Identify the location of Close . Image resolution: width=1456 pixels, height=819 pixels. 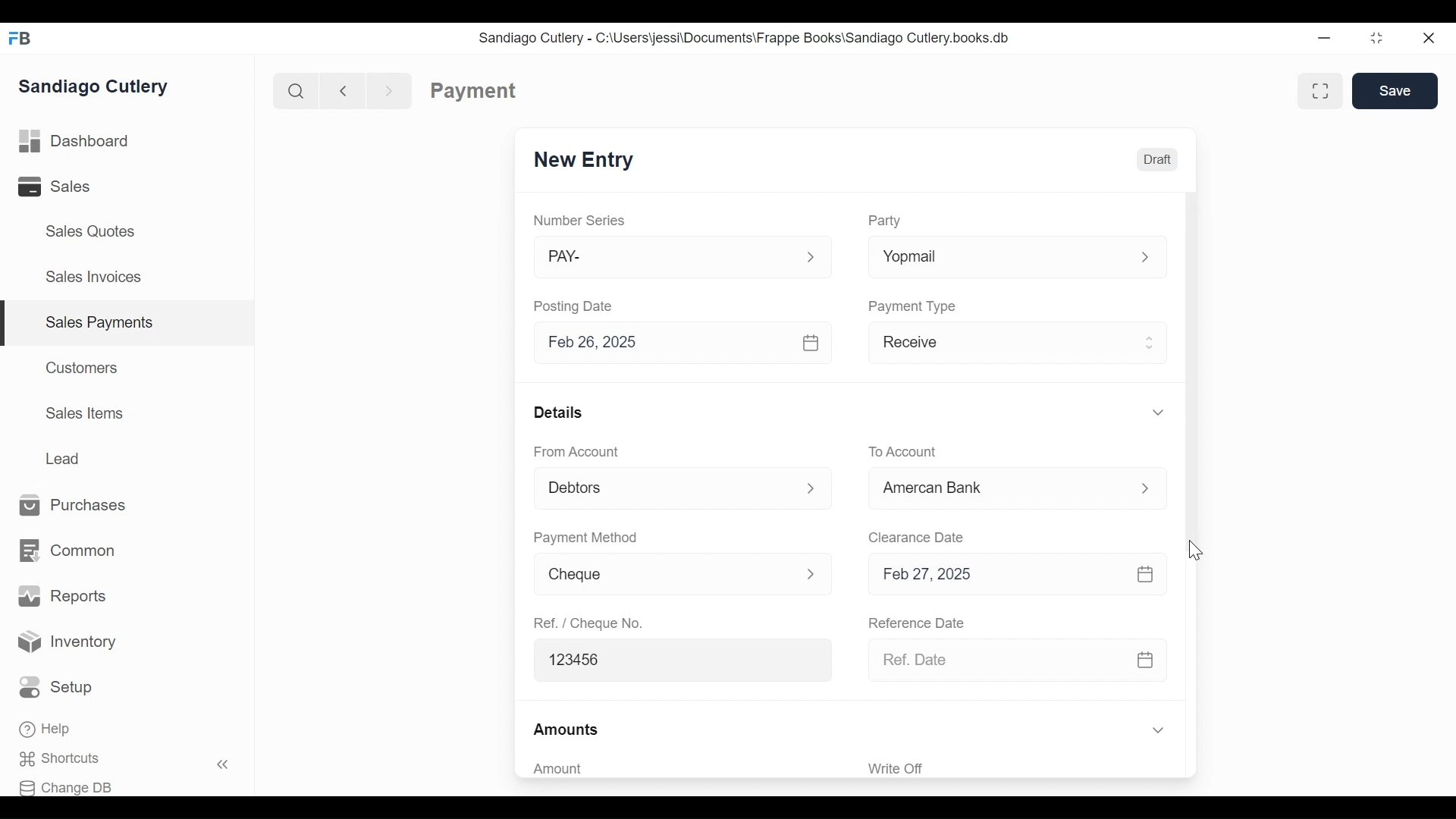
(1430, 38).